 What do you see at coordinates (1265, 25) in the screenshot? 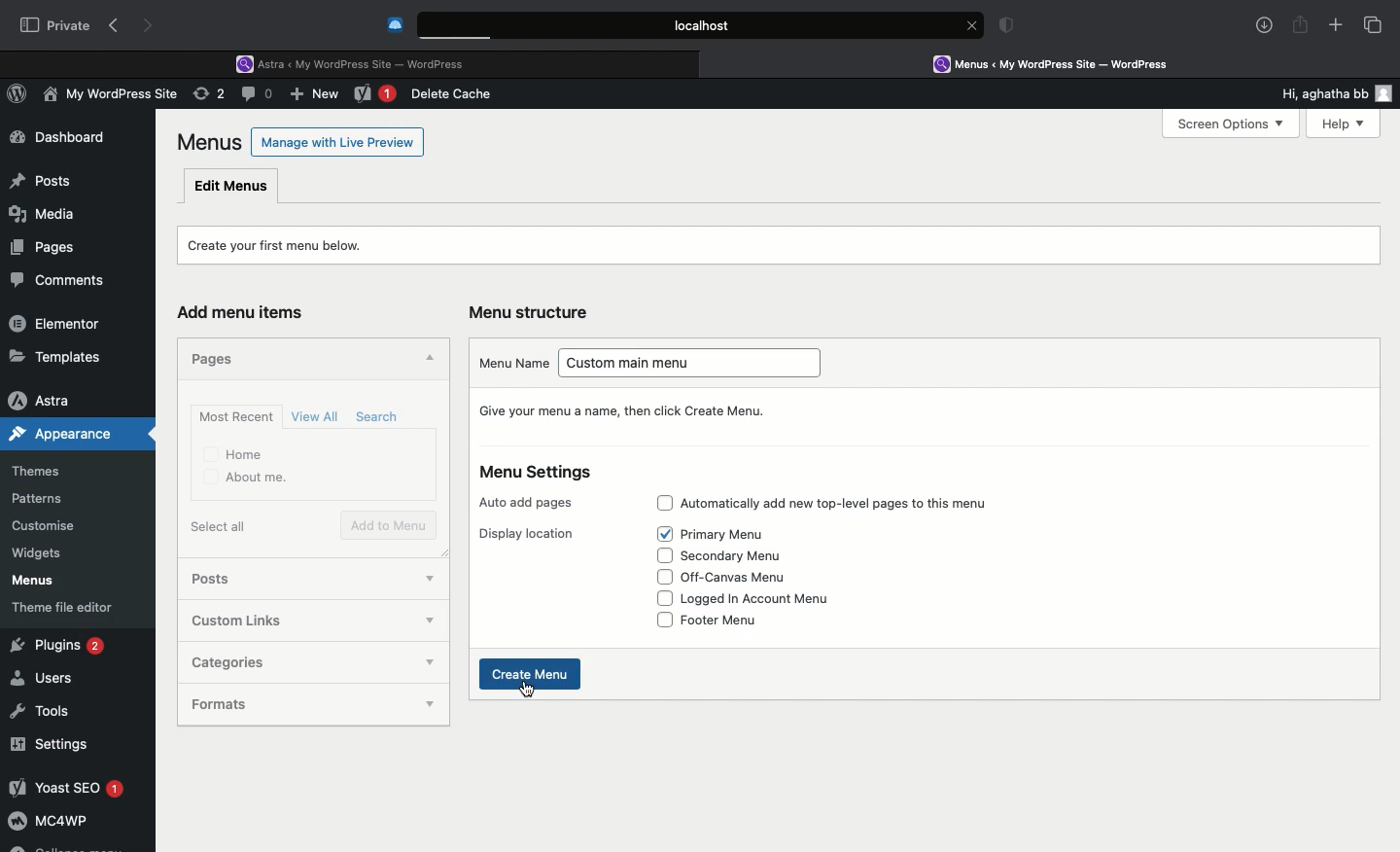
I see `Download` at bounding box center [1265, 25].